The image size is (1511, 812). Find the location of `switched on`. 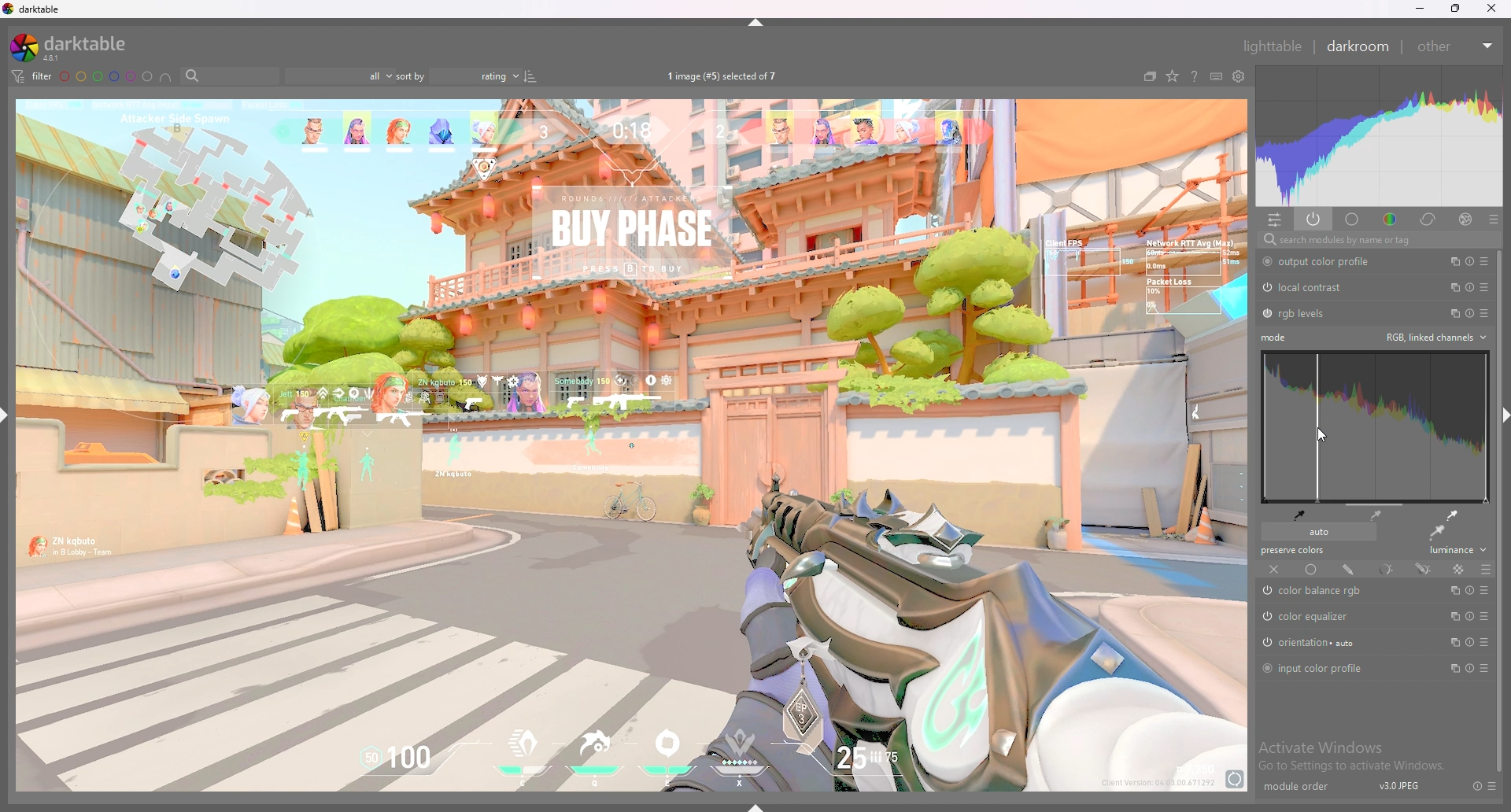

switched on is located at coordinates (1266, 617).